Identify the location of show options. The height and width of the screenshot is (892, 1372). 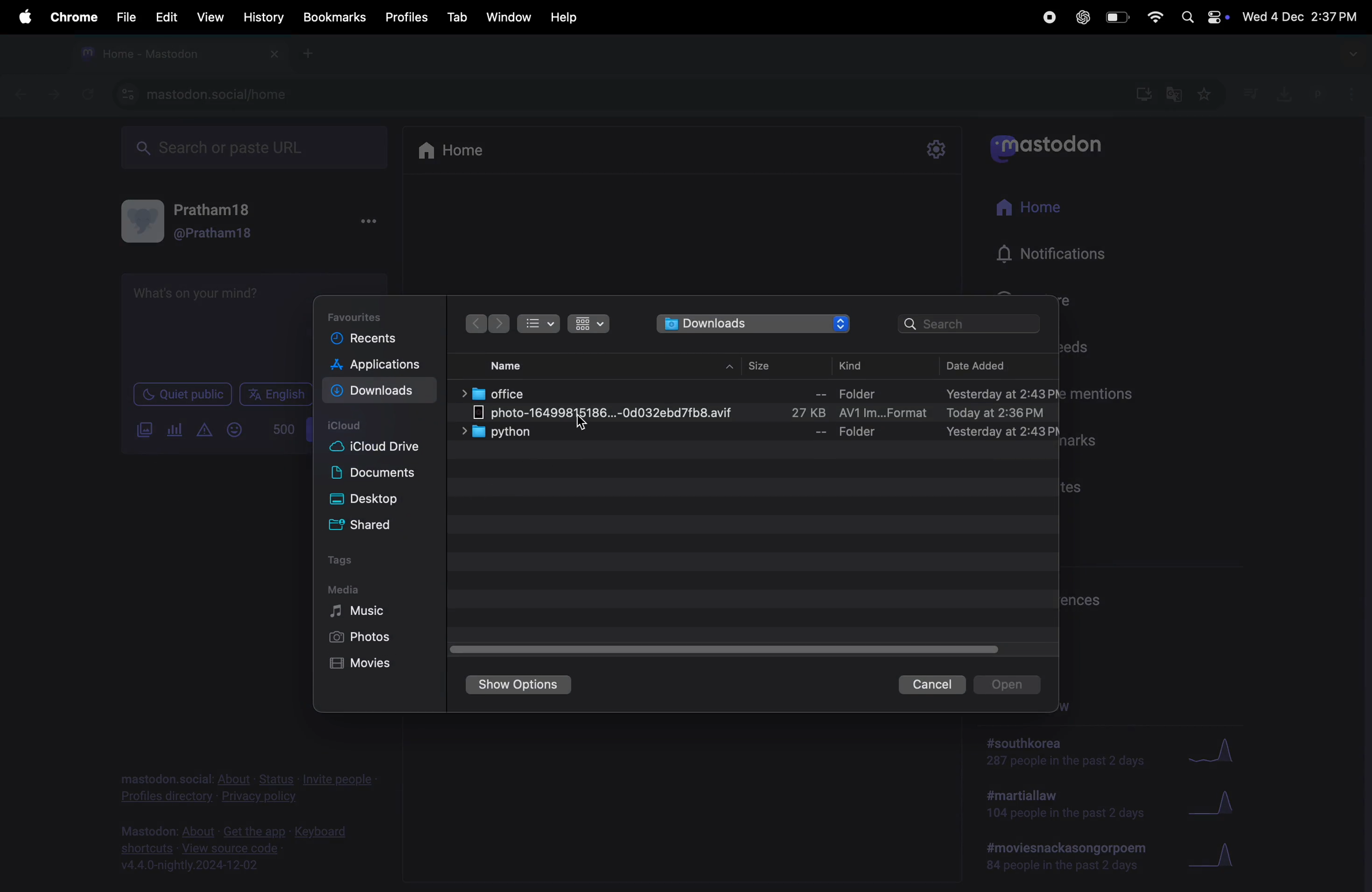
(518, 685).